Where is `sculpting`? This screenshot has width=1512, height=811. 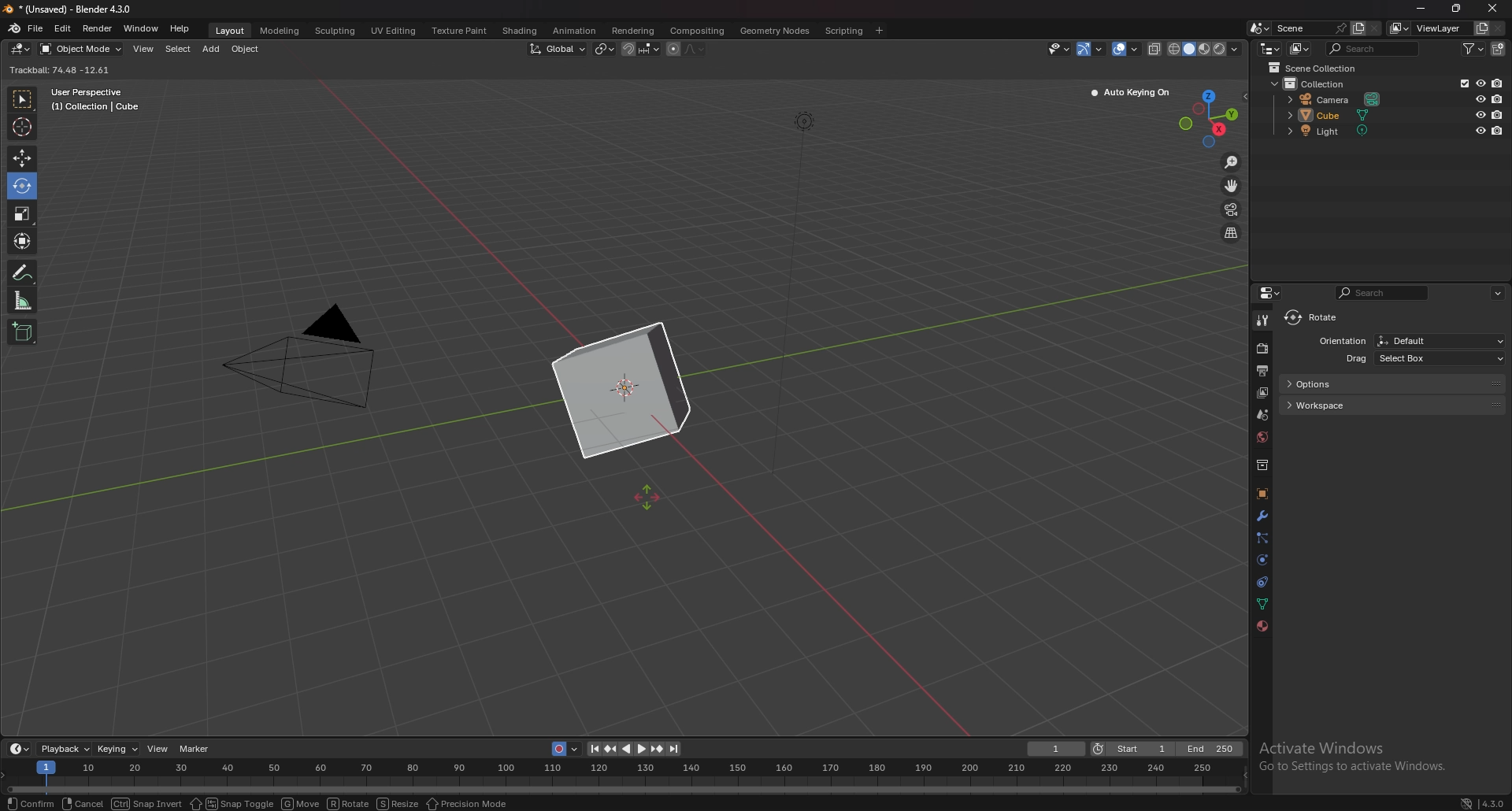 sculpting is located at coordinates (337, 31).